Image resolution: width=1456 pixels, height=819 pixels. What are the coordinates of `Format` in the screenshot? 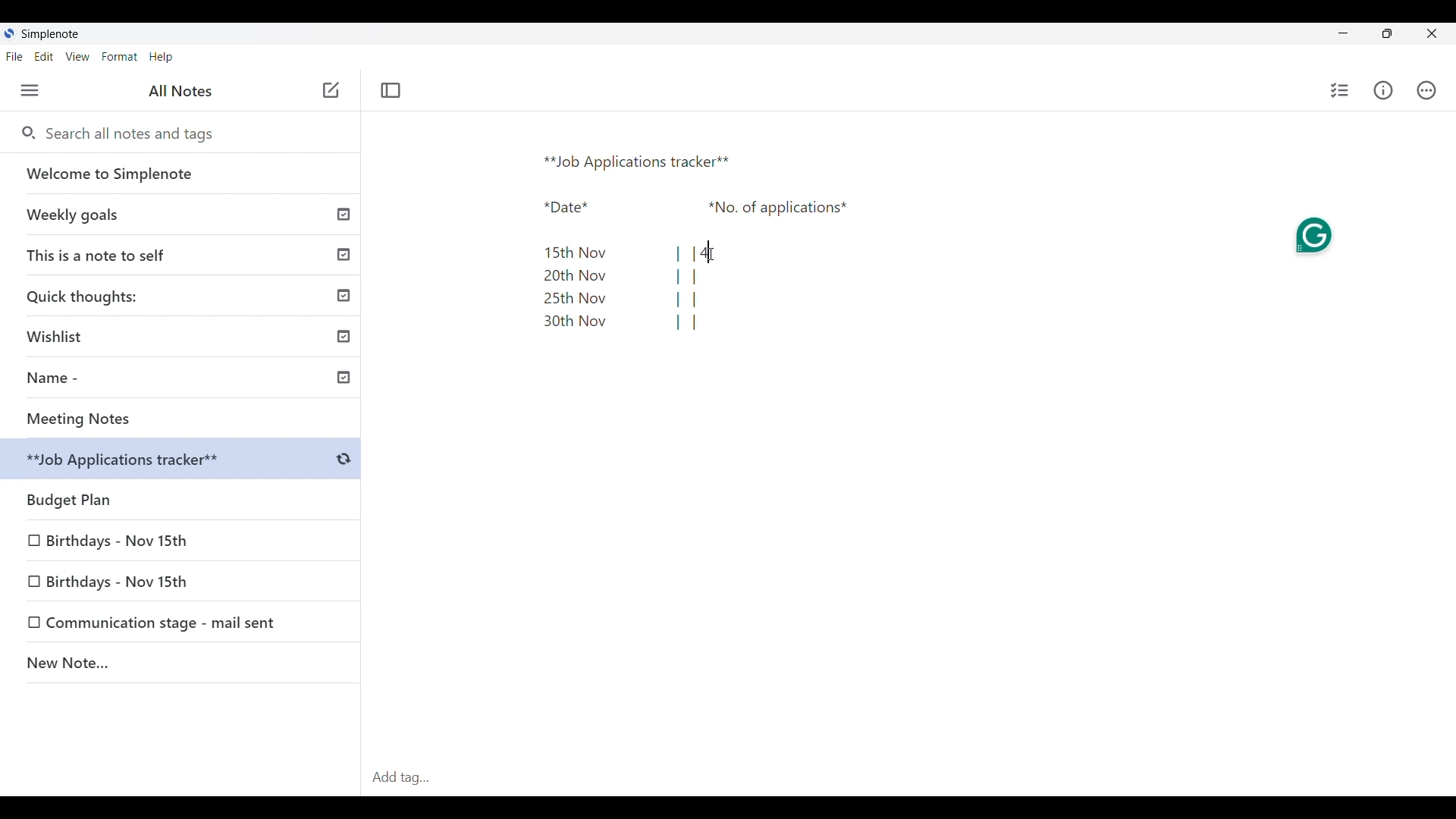 It's located at (120, 57).